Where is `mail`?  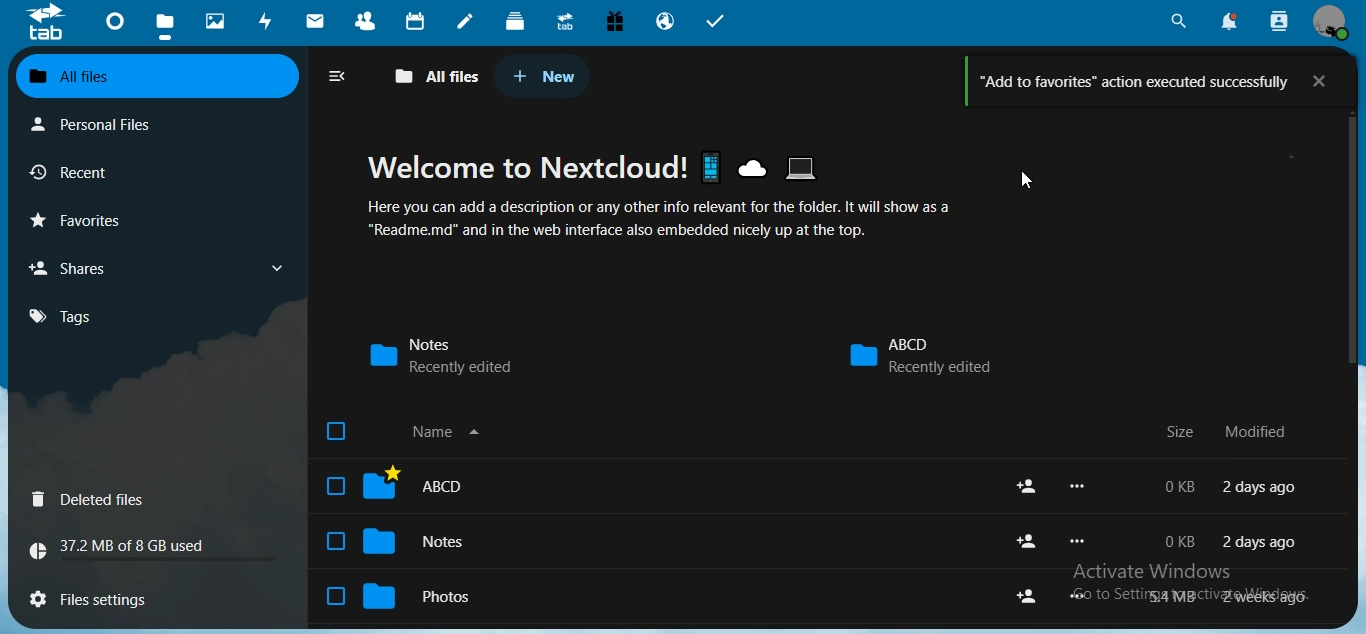
mail is located at coordinates (317, 20).